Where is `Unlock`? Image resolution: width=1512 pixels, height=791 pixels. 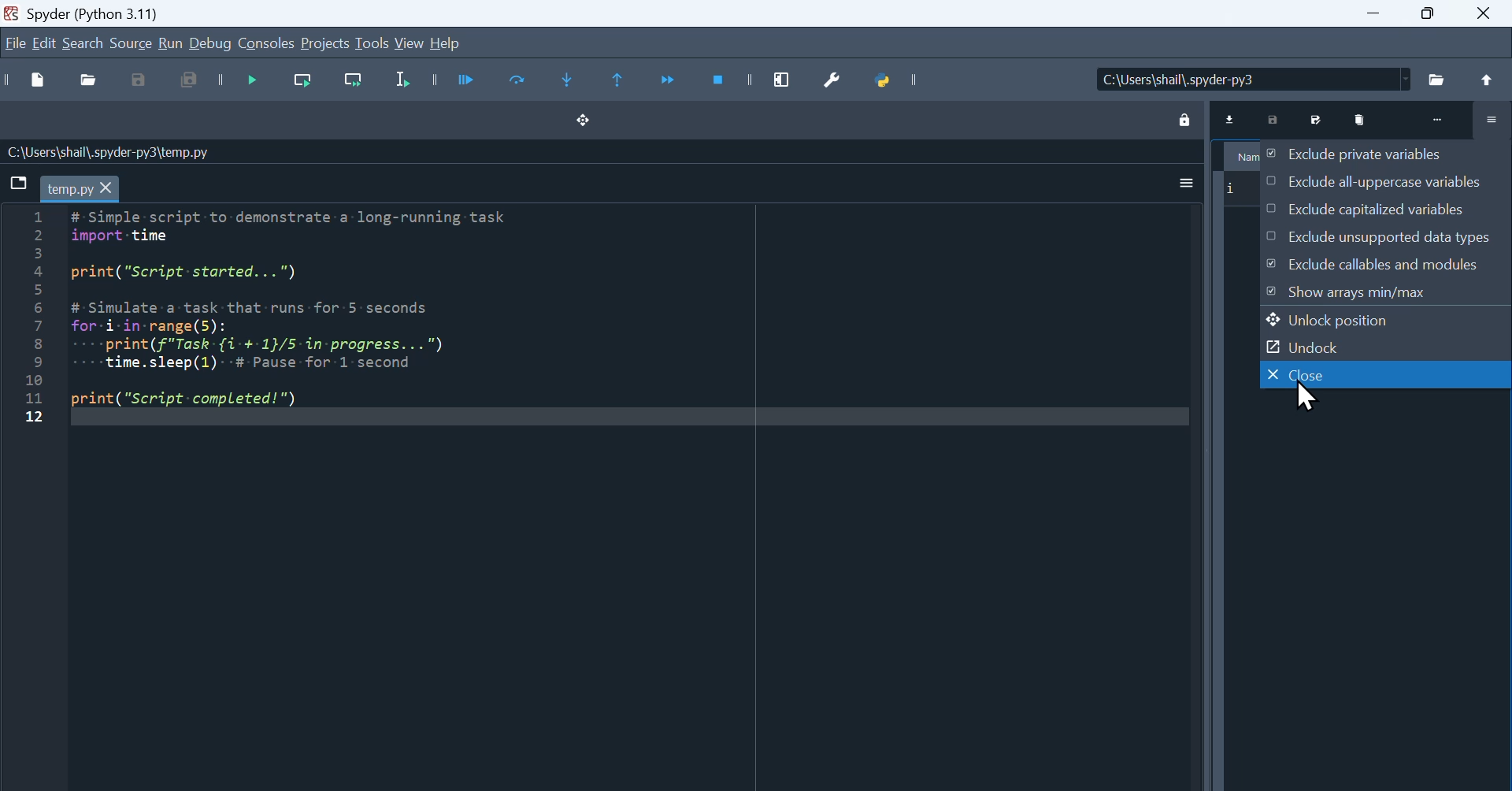
Unlock is located at coordinates (1385, 346).